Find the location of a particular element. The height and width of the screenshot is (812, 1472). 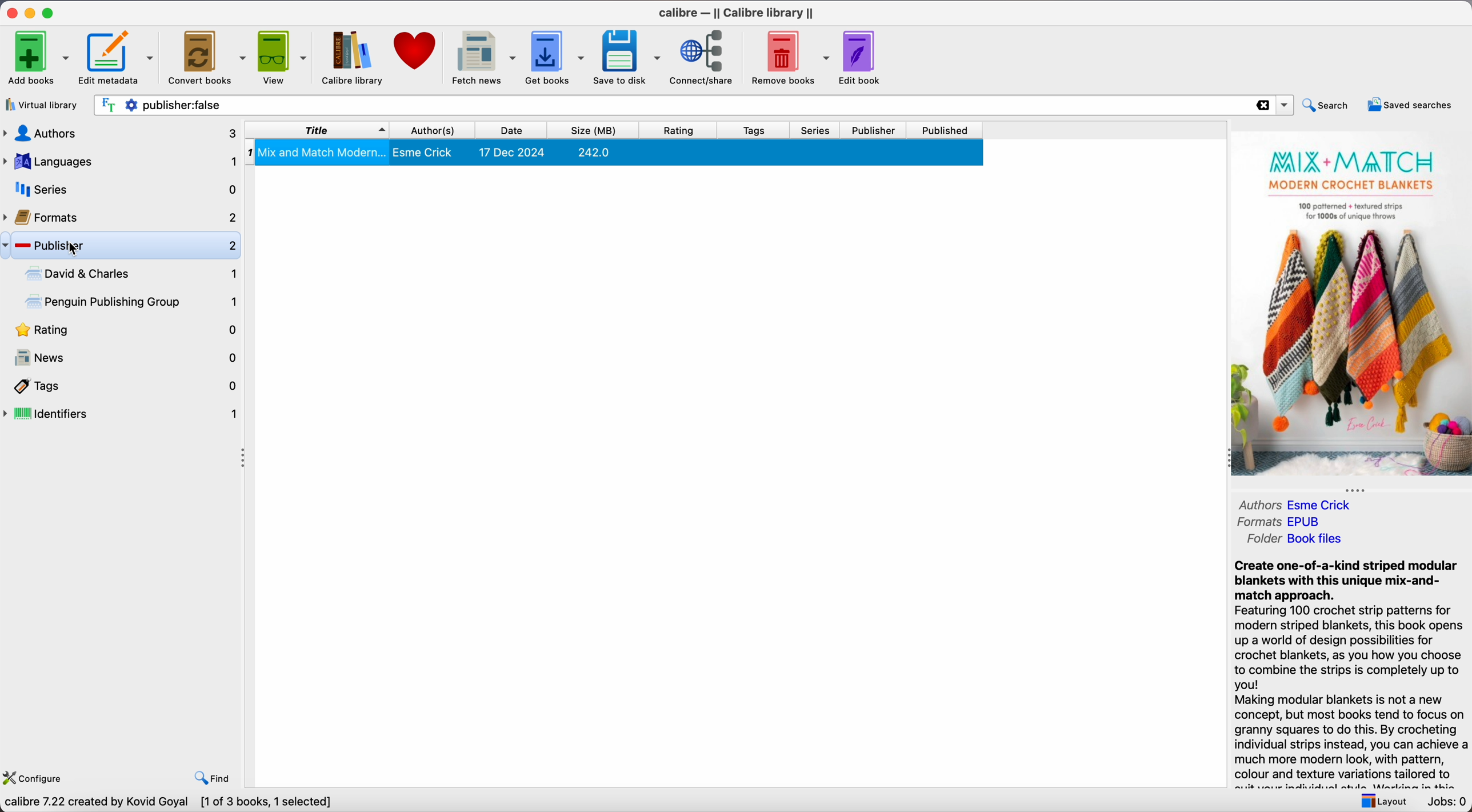

search bar is located at coordinates (692, 105).